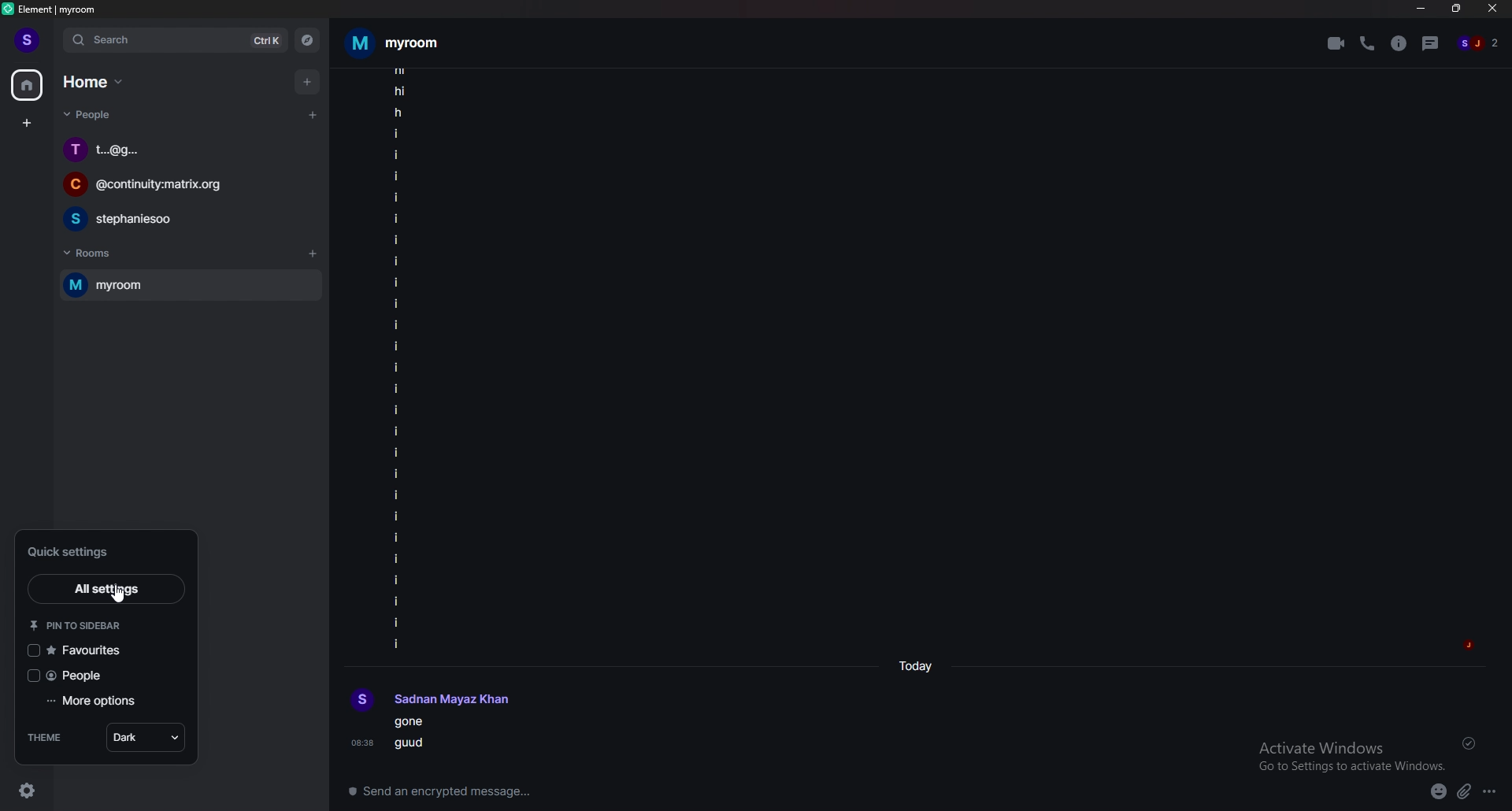 This screenshot has width=1512, height=811. Describe the element at coordinates (1400, 43) in the screenshot. I see `room info` at that location.